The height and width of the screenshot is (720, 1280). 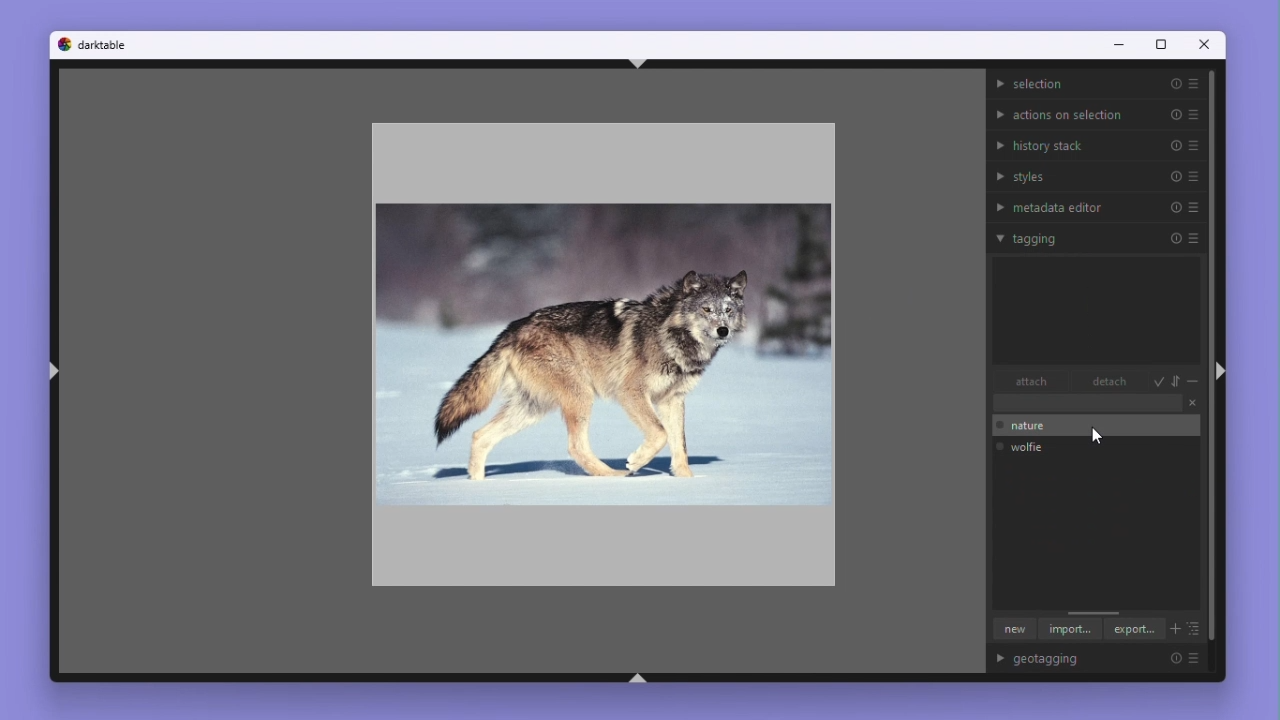 I want to click on New , so click(x=1011, y=630).